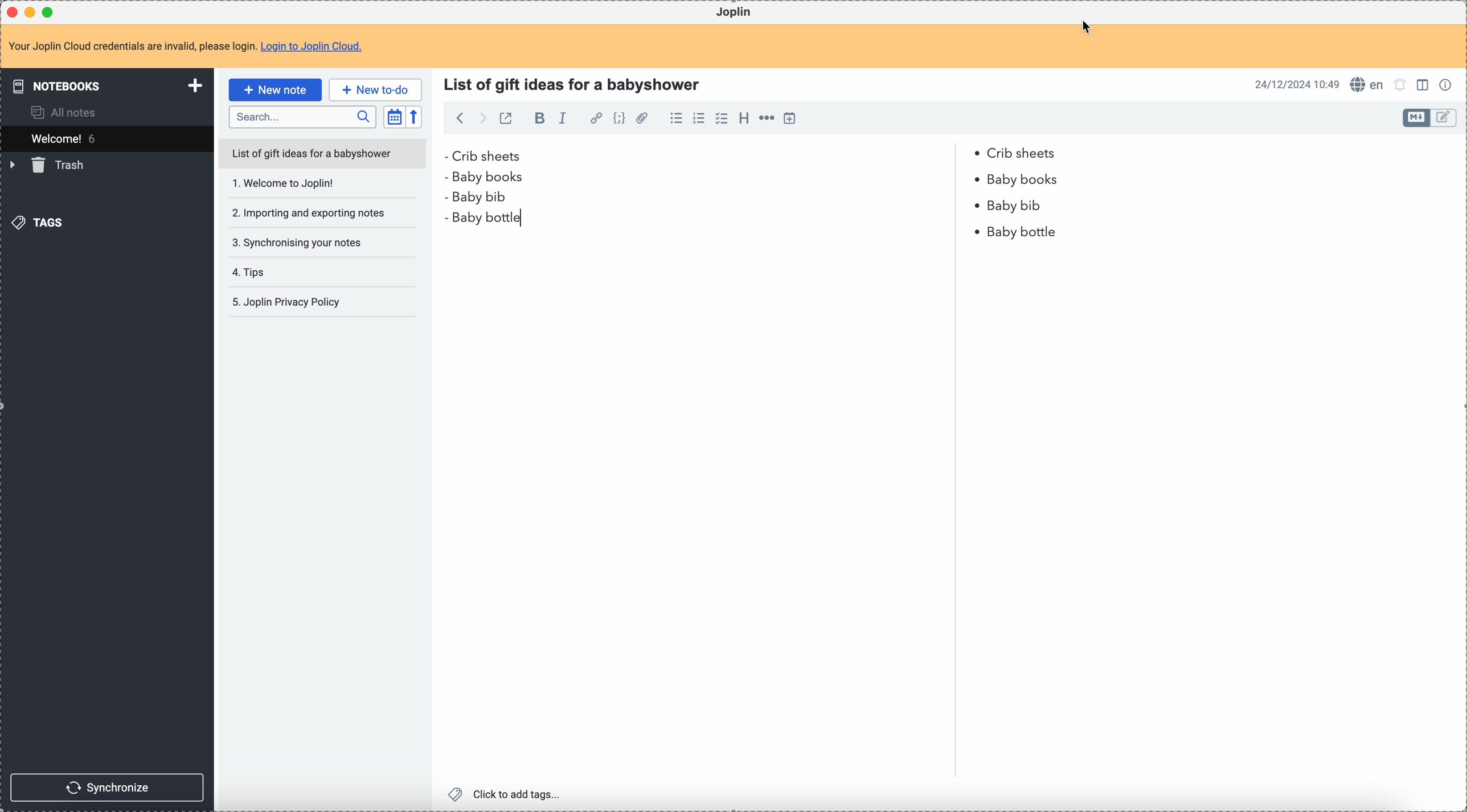  I want to click on toggle external editing, so click(505, 118).